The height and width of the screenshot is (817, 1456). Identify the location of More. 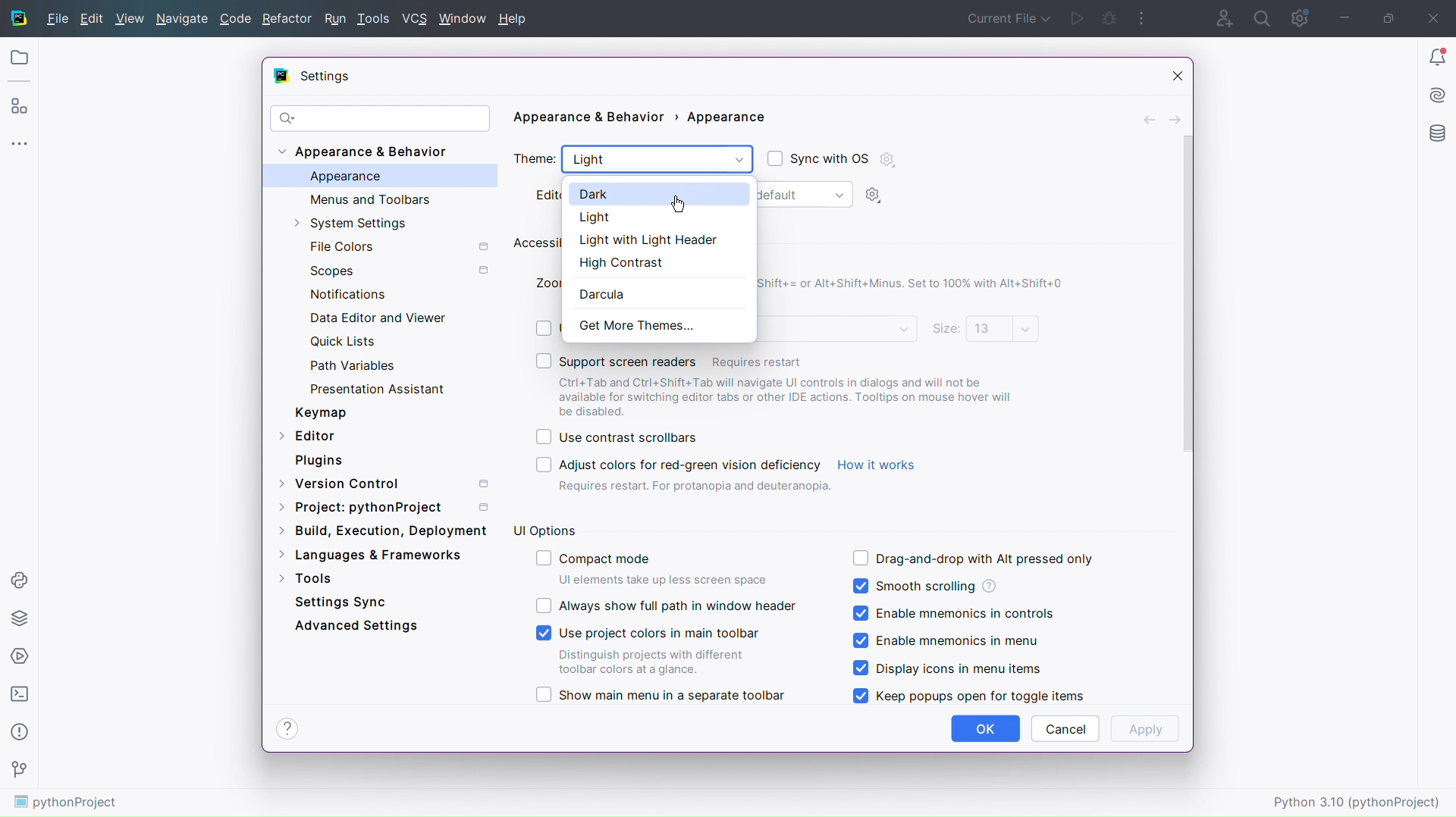
(1143, 17).